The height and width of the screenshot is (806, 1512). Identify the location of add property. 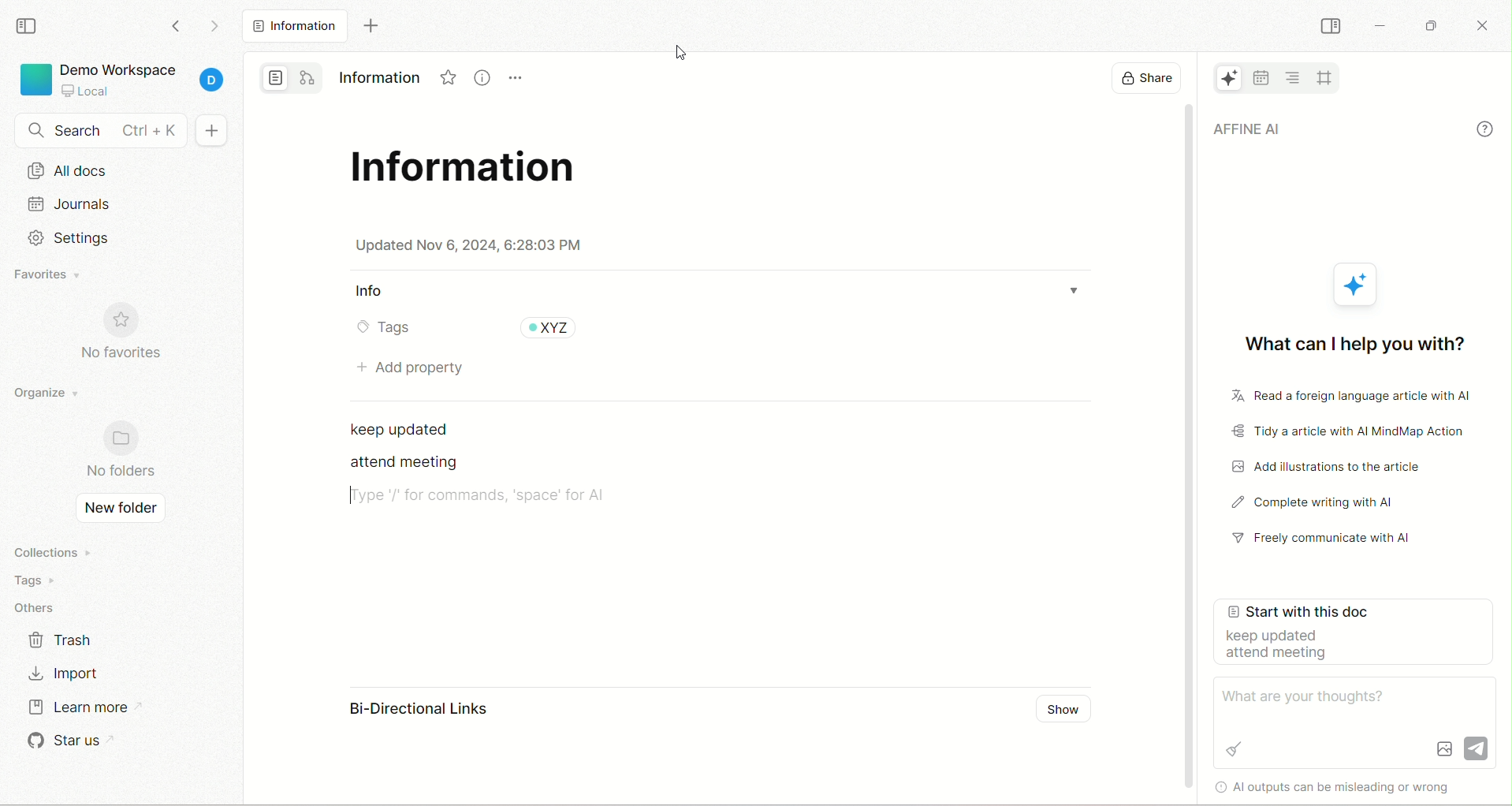
(408, 367).